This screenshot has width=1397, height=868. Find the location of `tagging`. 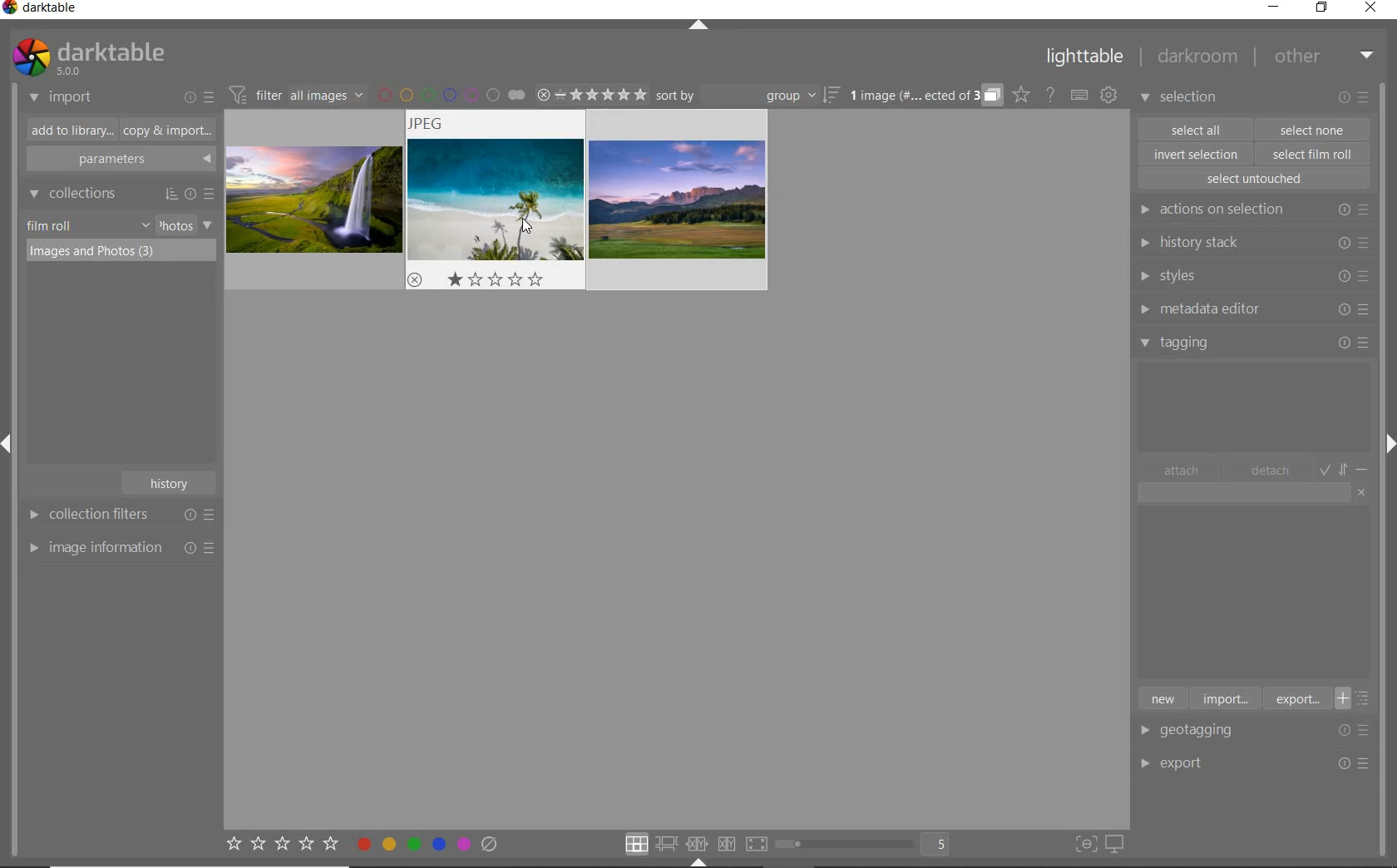

tagging is located at coordinates (1255, 342).